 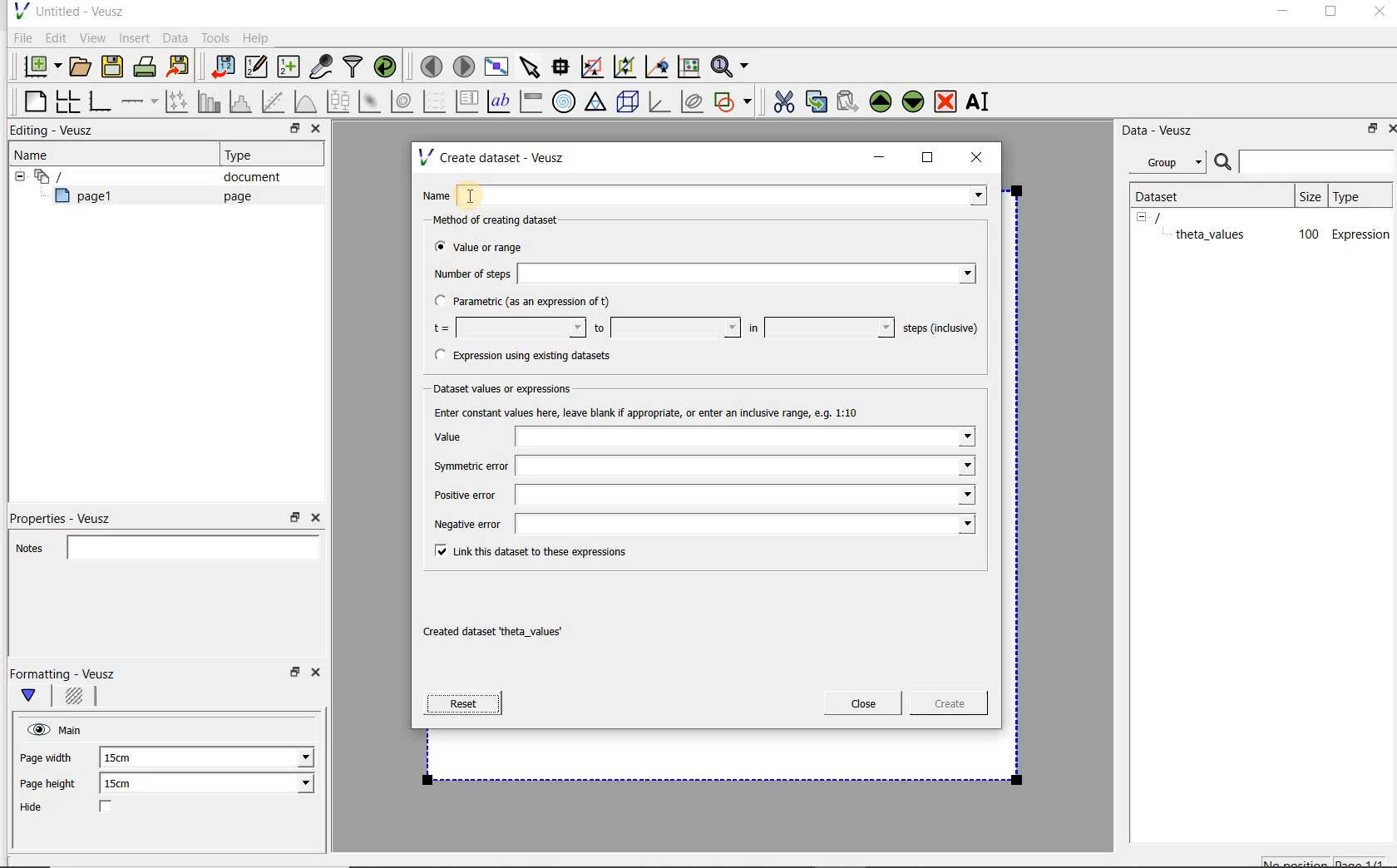 What do you see at coordinates (141, 101) in the screenshot?
I see `add an axis to a plot` at bounding box center [141, 101].